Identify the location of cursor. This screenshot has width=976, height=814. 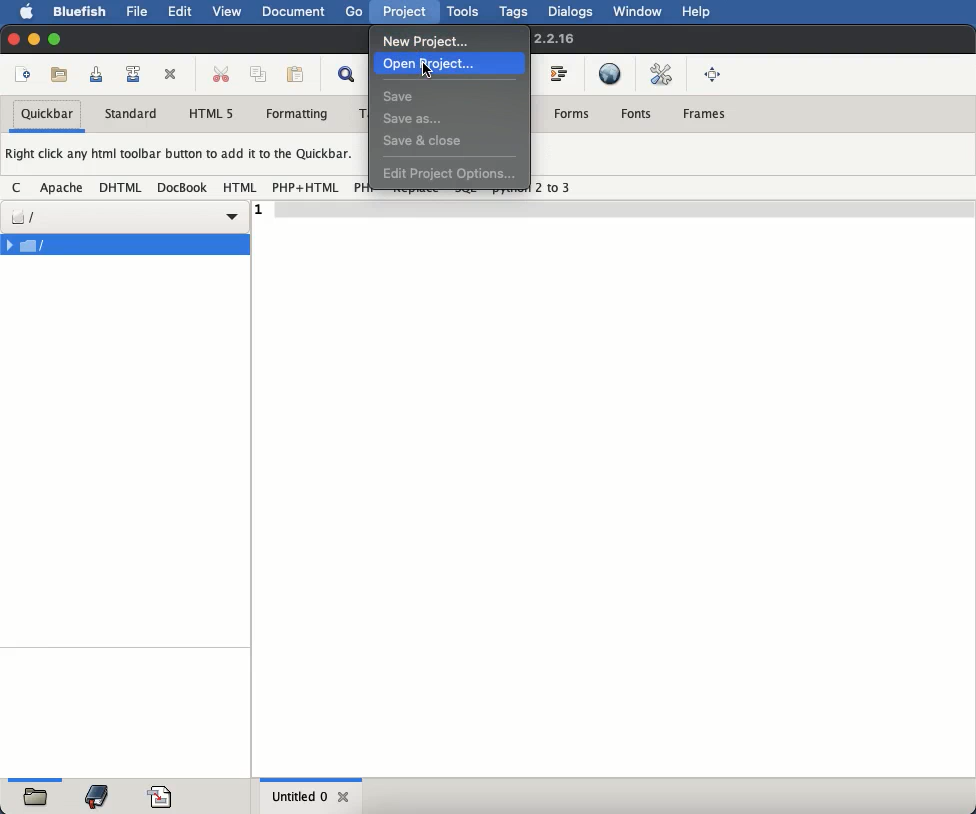
(425, 72).